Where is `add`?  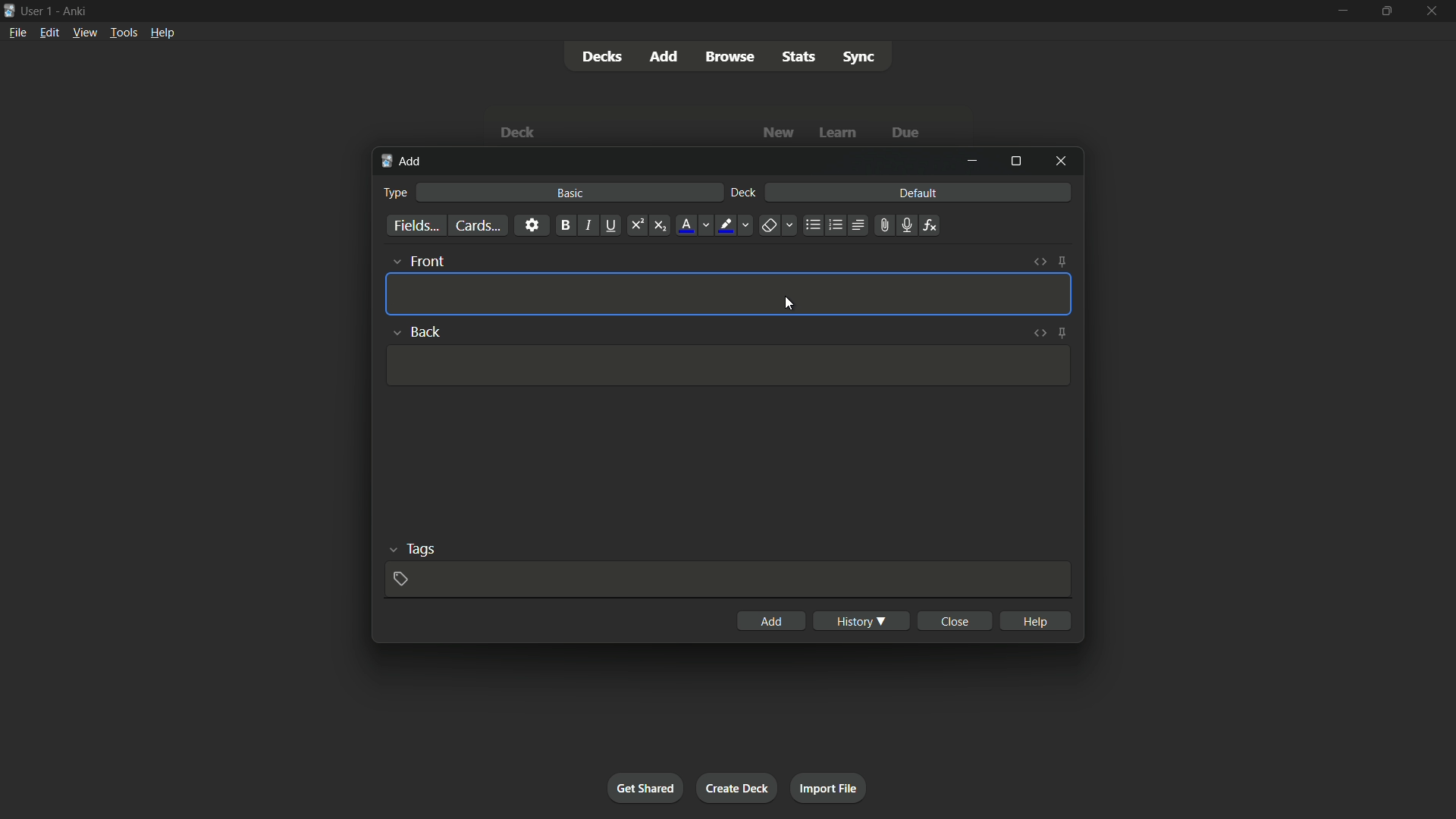 add is located at coordinates (667, 55).